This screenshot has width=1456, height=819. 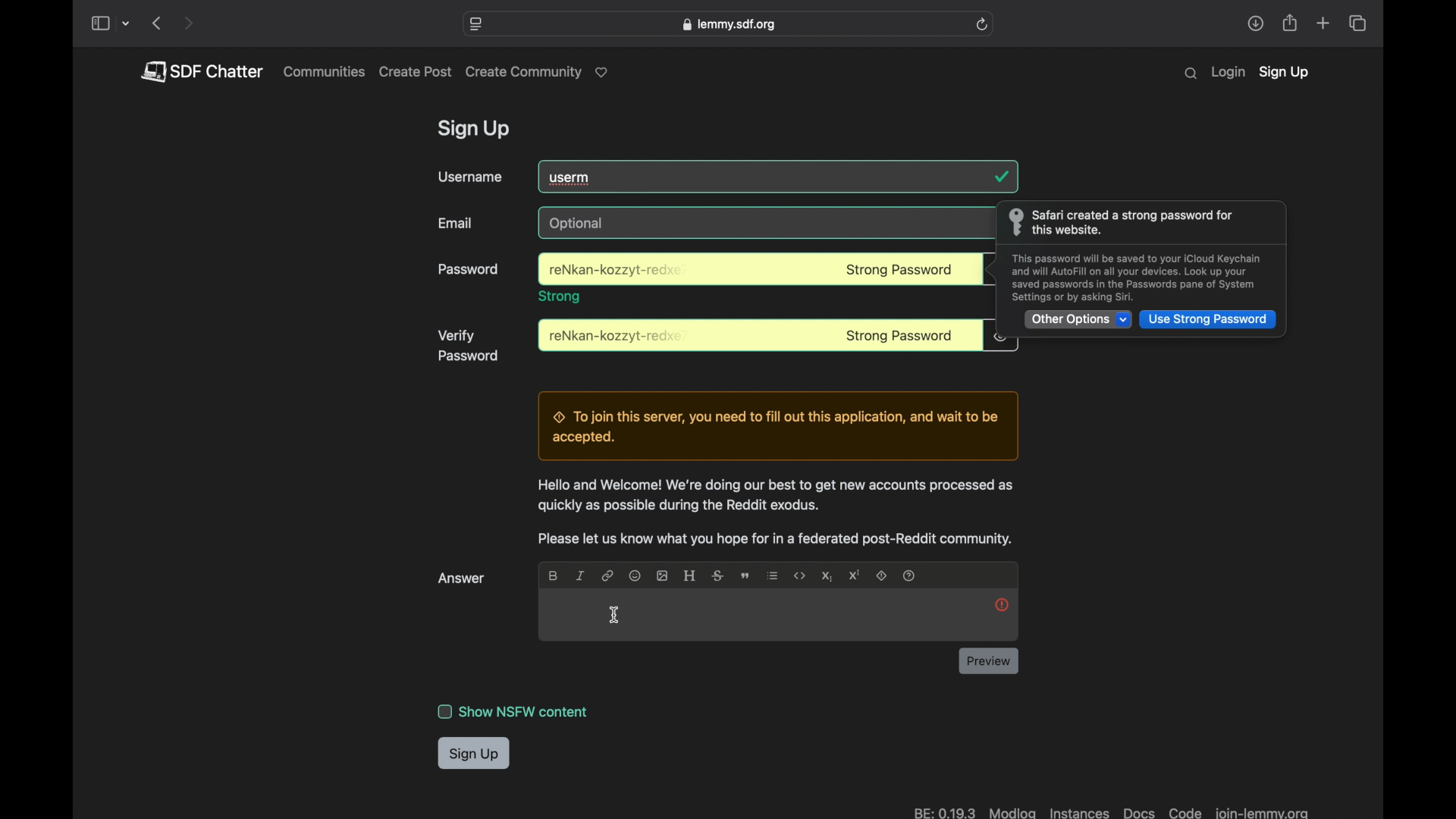 What do you see at coordinates (773, 496) in the screenshot?
I see `Welcome to lemmy message` at bounding box center [773, 496].